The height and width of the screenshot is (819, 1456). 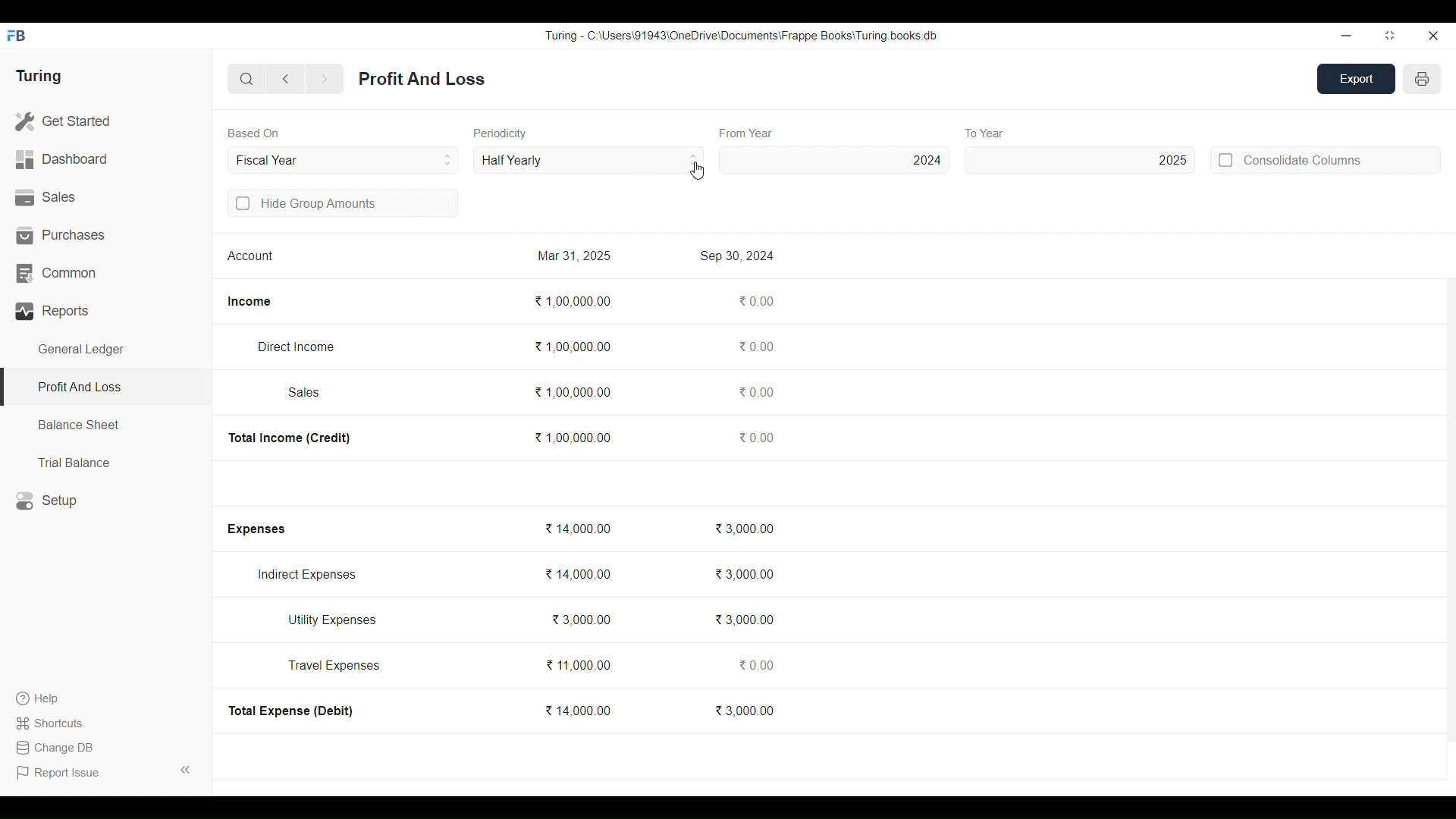 What do you see at coordinates (334, 620) in the screenshot?
I see `Utility Expenses` at bounding box center [334, 620].